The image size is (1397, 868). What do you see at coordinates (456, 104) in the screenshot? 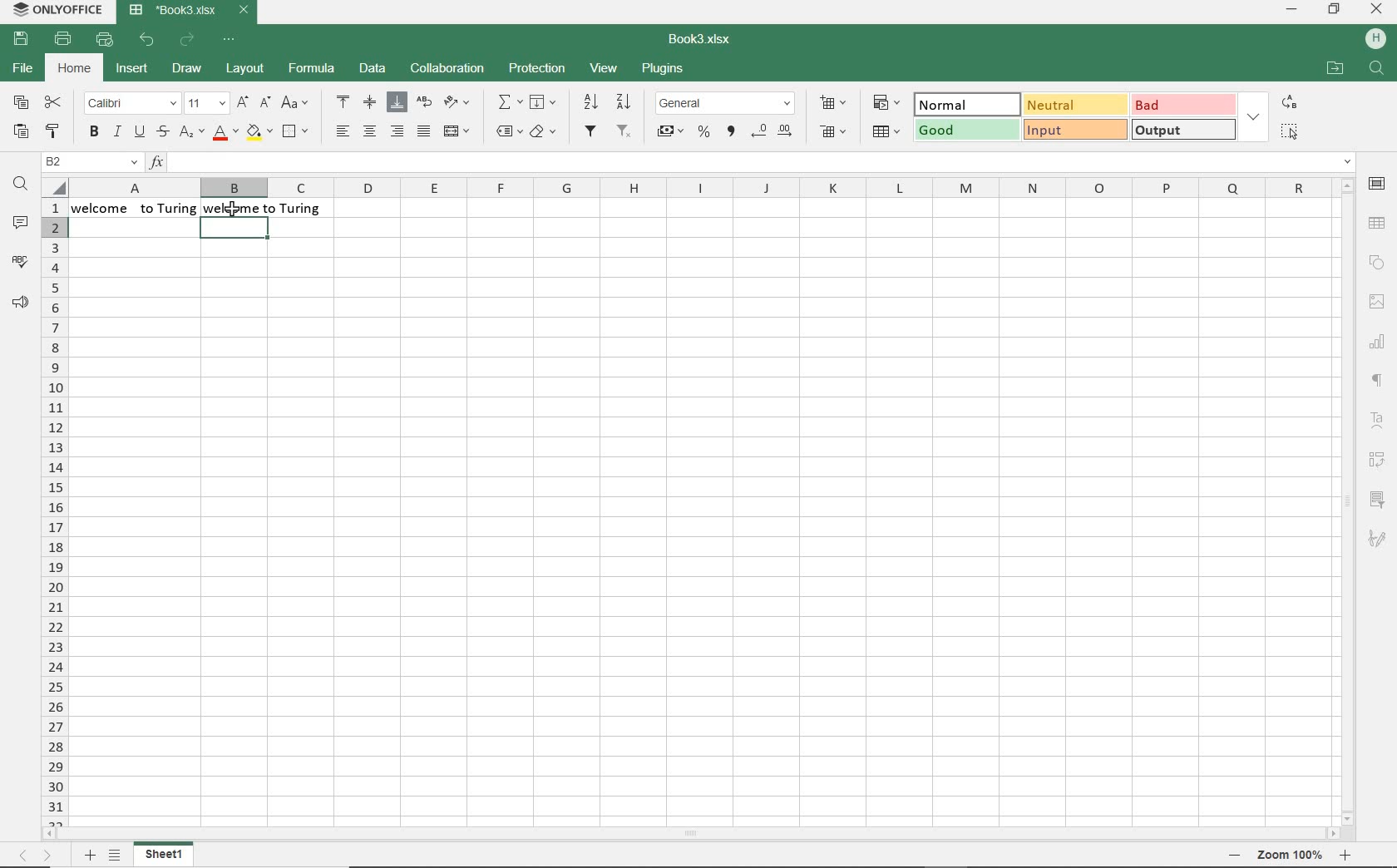
I see `orientation` at bounding box center [456, 104].